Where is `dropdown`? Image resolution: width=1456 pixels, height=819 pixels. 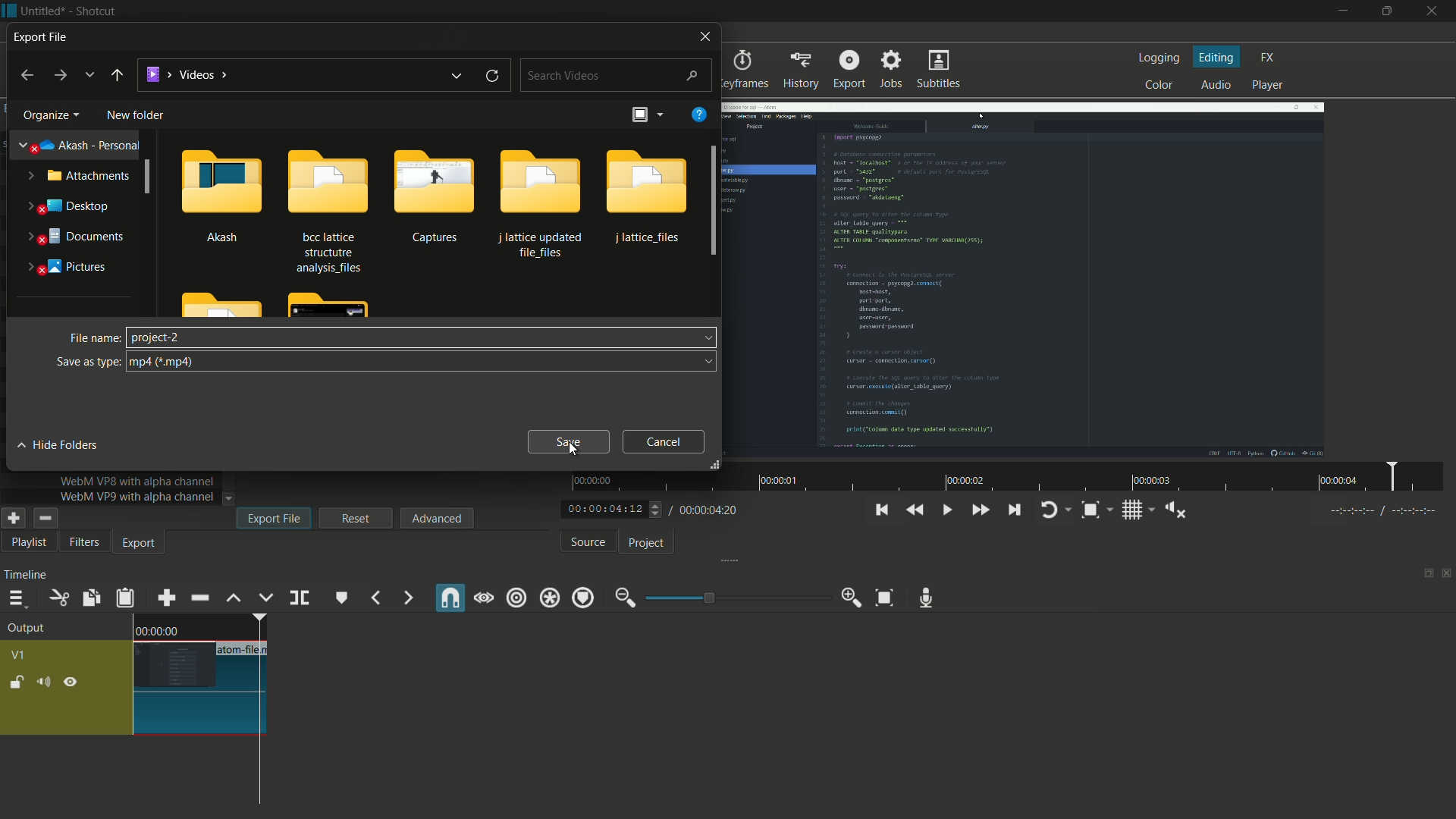 dropdown is located at coordinates (706, 337).